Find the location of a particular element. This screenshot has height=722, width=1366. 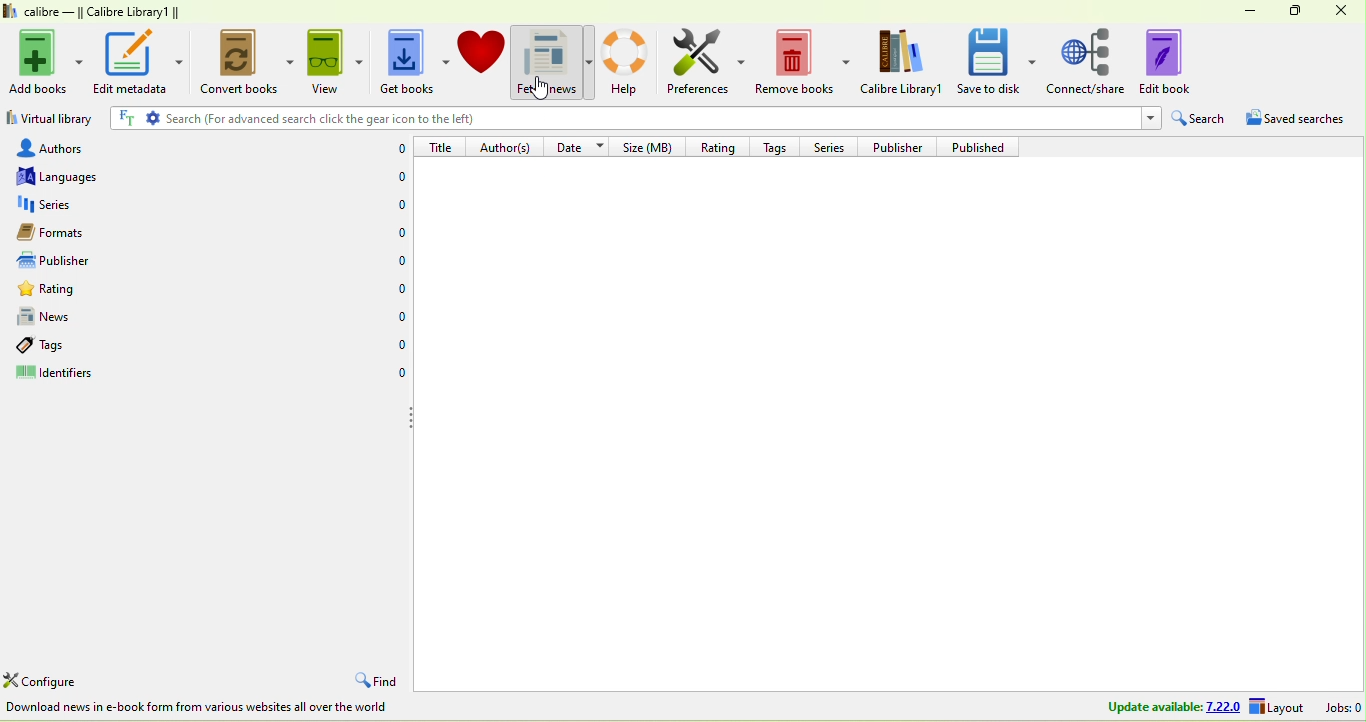

news is located at coordinates (153, 319).